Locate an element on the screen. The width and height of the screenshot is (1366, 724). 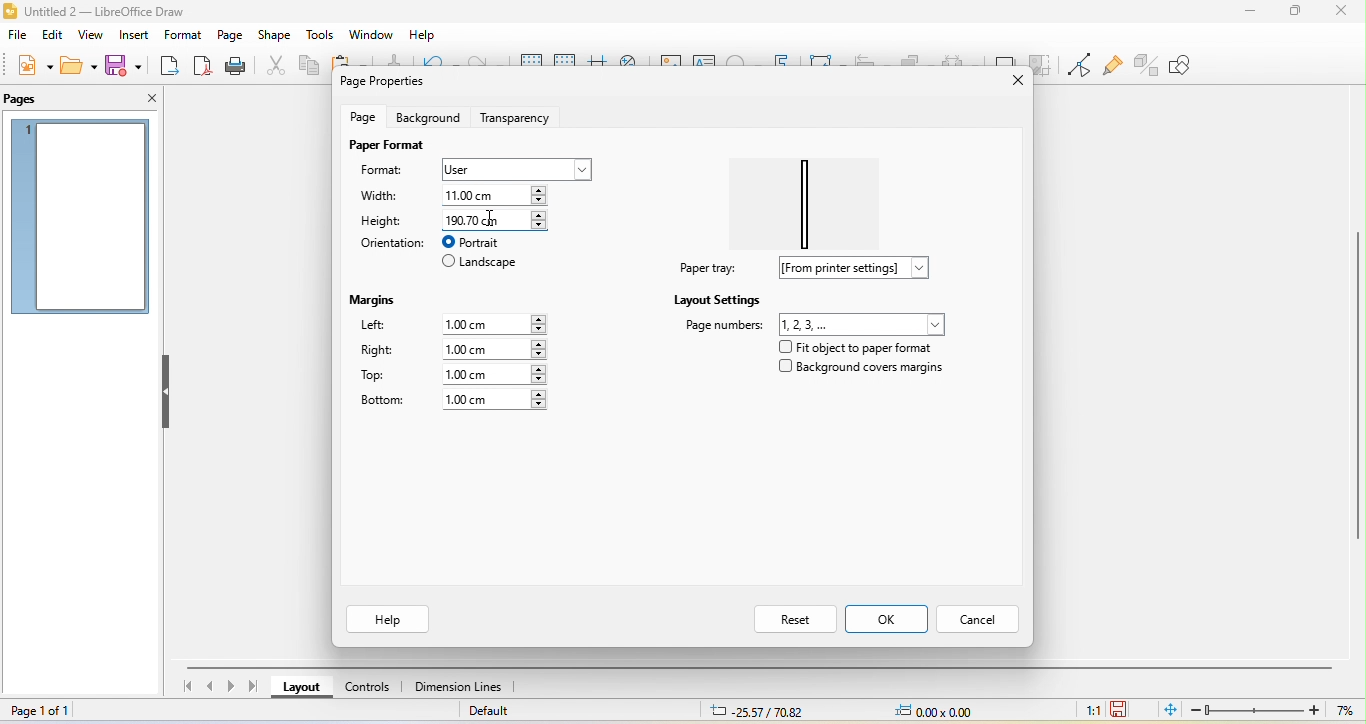
export is located at coordinates (170, 67).